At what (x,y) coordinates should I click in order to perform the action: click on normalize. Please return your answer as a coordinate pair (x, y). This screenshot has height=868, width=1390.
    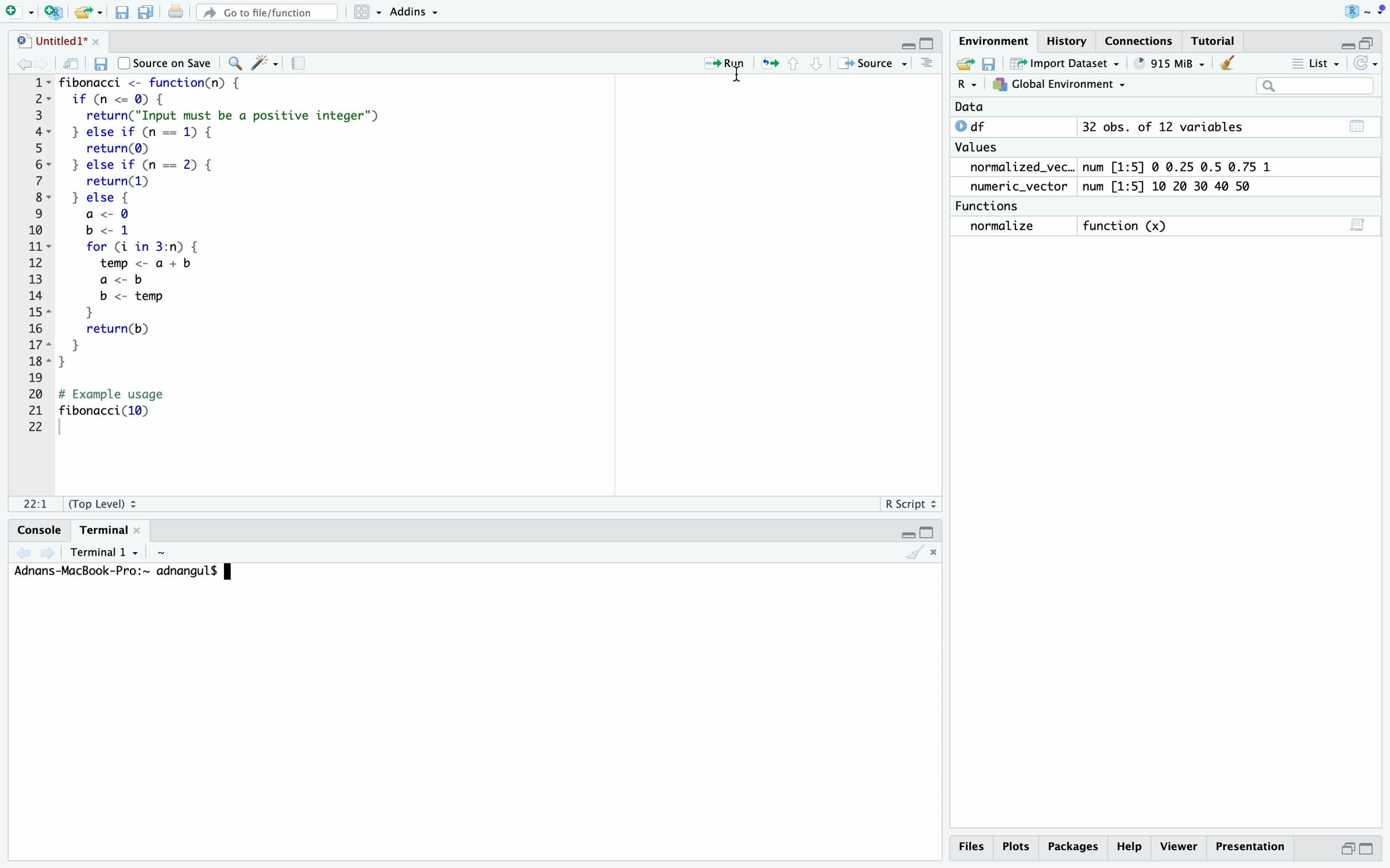
    Looking at the image, I should click on (1001, 227).